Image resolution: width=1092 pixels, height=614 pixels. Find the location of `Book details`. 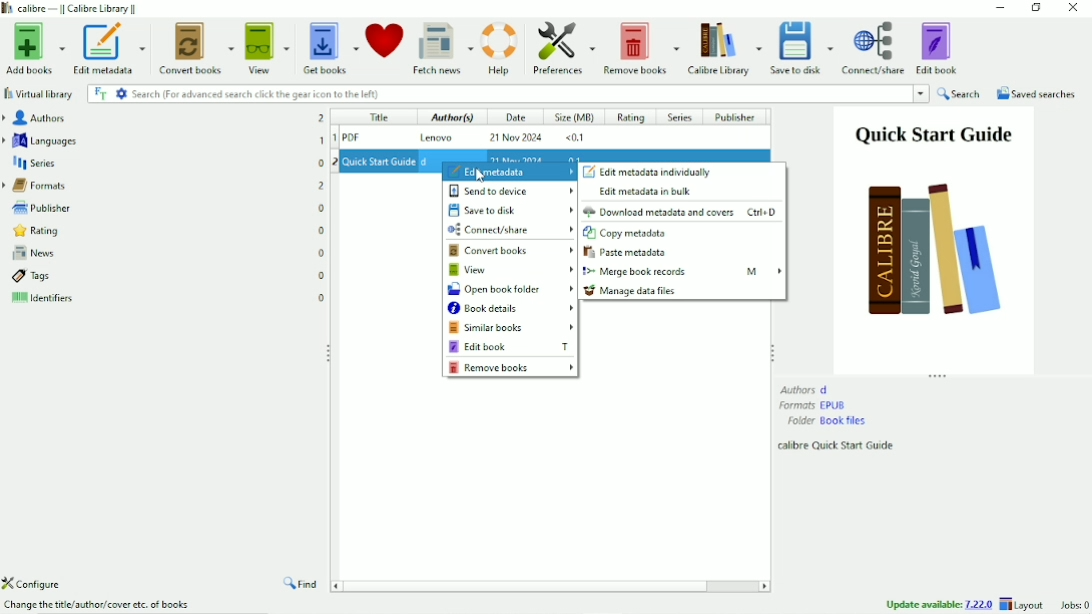

Book details is located at coordinates (511, 309).